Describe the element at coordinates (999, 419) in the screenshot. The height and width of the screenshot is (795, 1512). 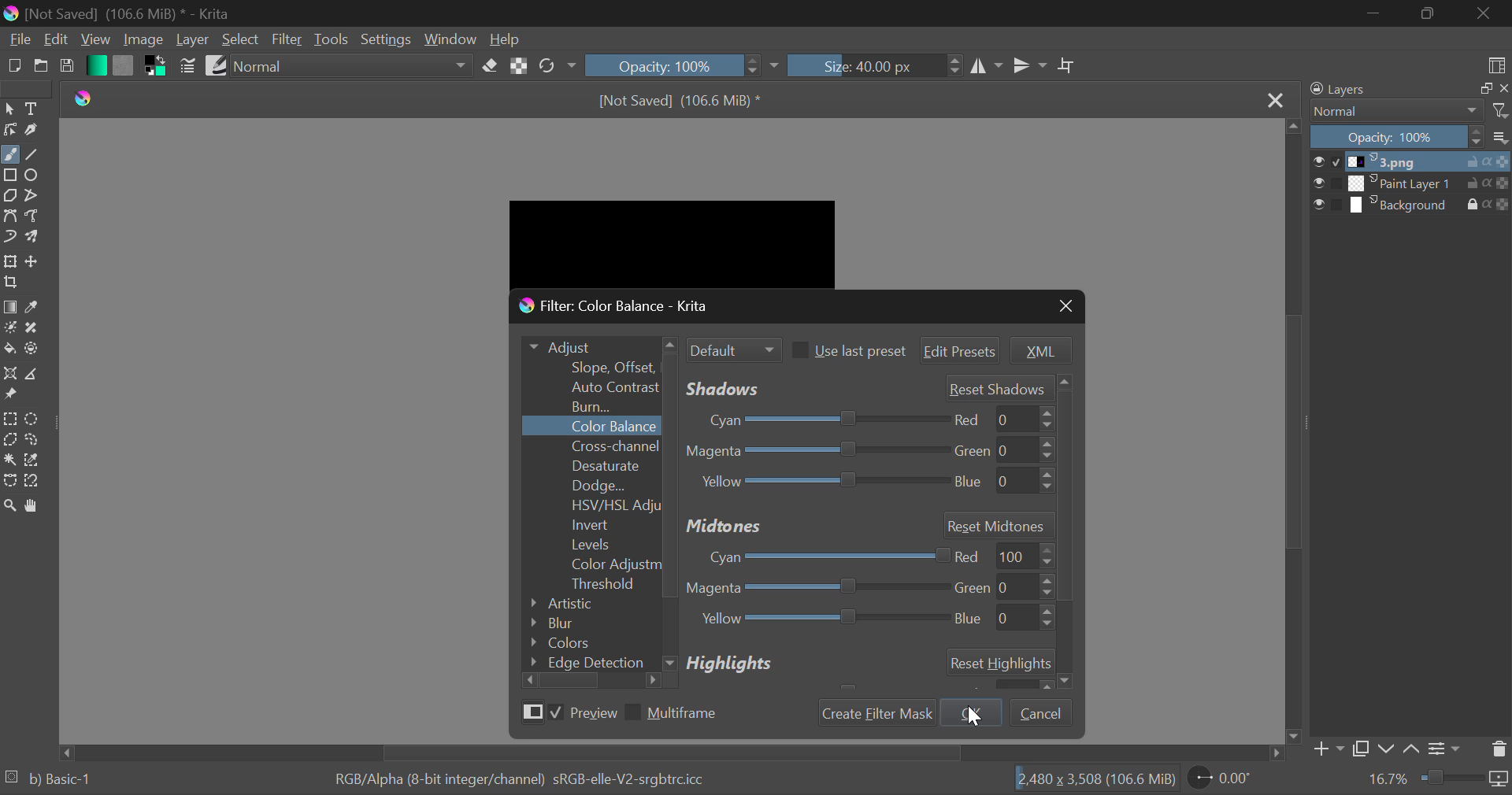
I see `red` at that location.